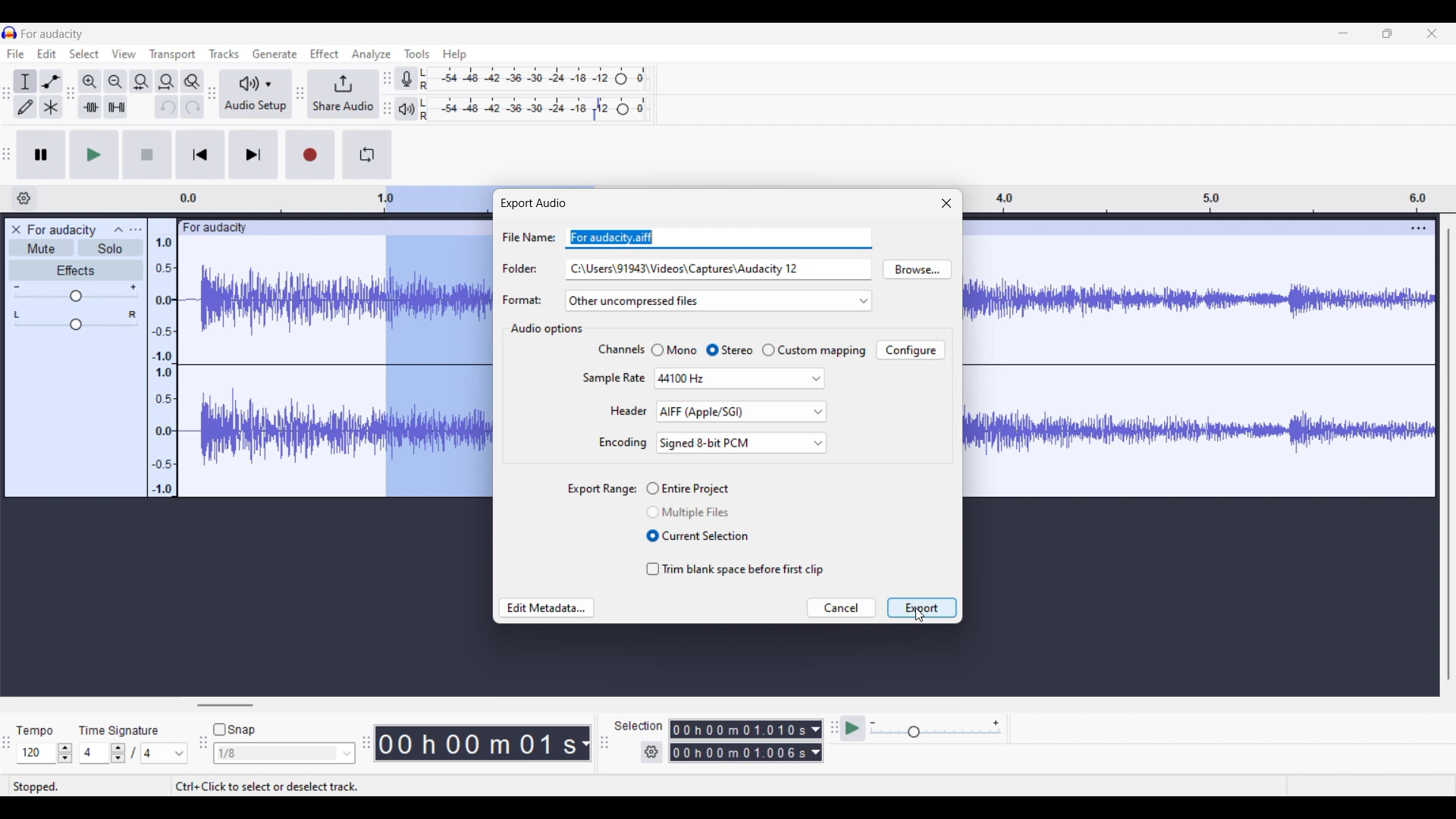  What do you see at coordinates (26, 107) in the screenshot?
I see `Draw tool` at bounding box center [26, 107].